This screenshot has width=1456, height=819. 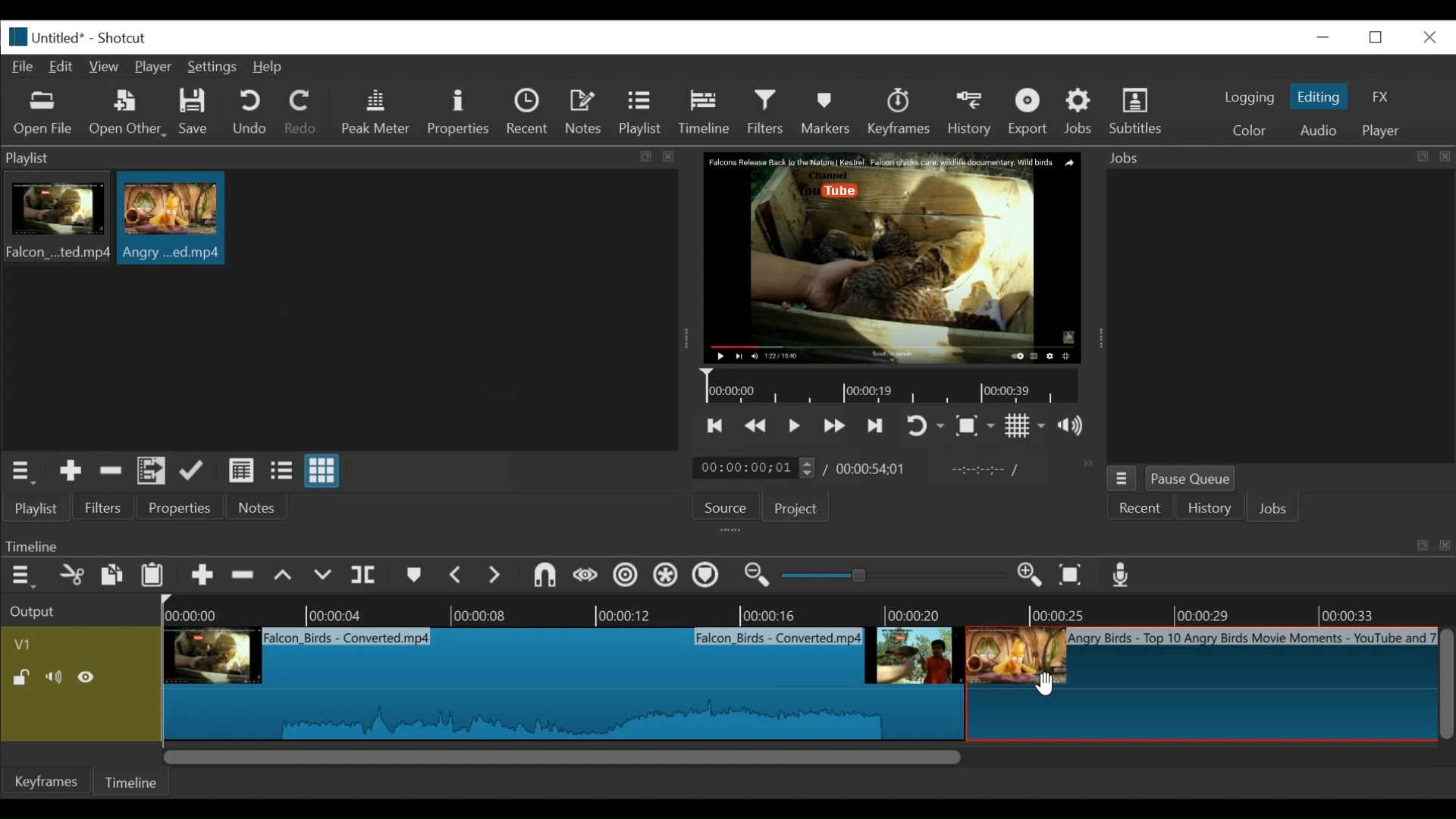 I want to click on playlist menu, so click(x=24, y=470).